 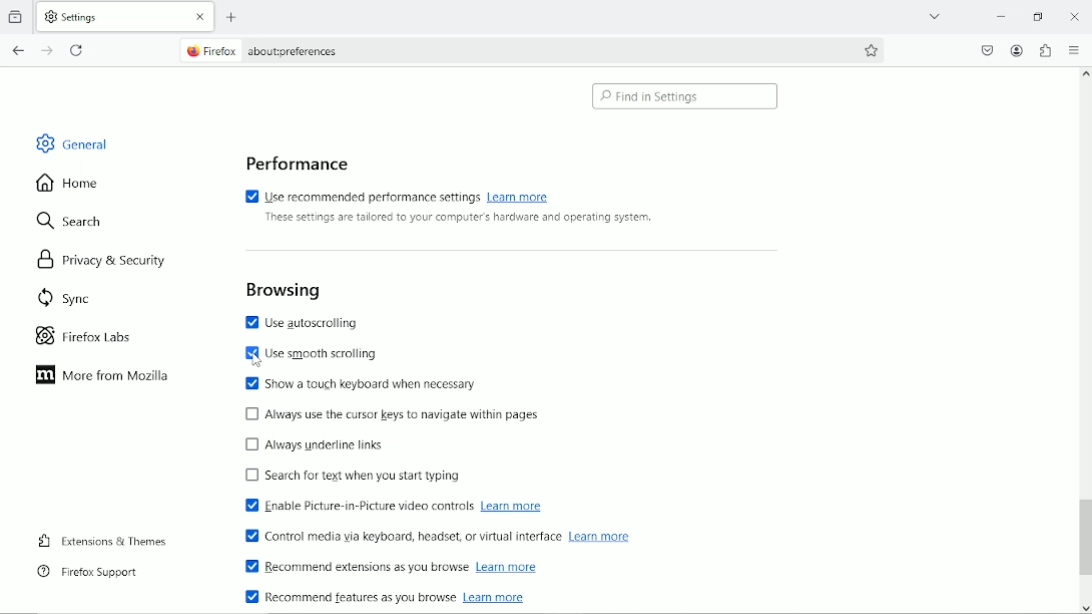 What do you see at coordinates (100, 539) in the screenshot?
I see `Extensions & Themes` at bounding box center [100, 539].